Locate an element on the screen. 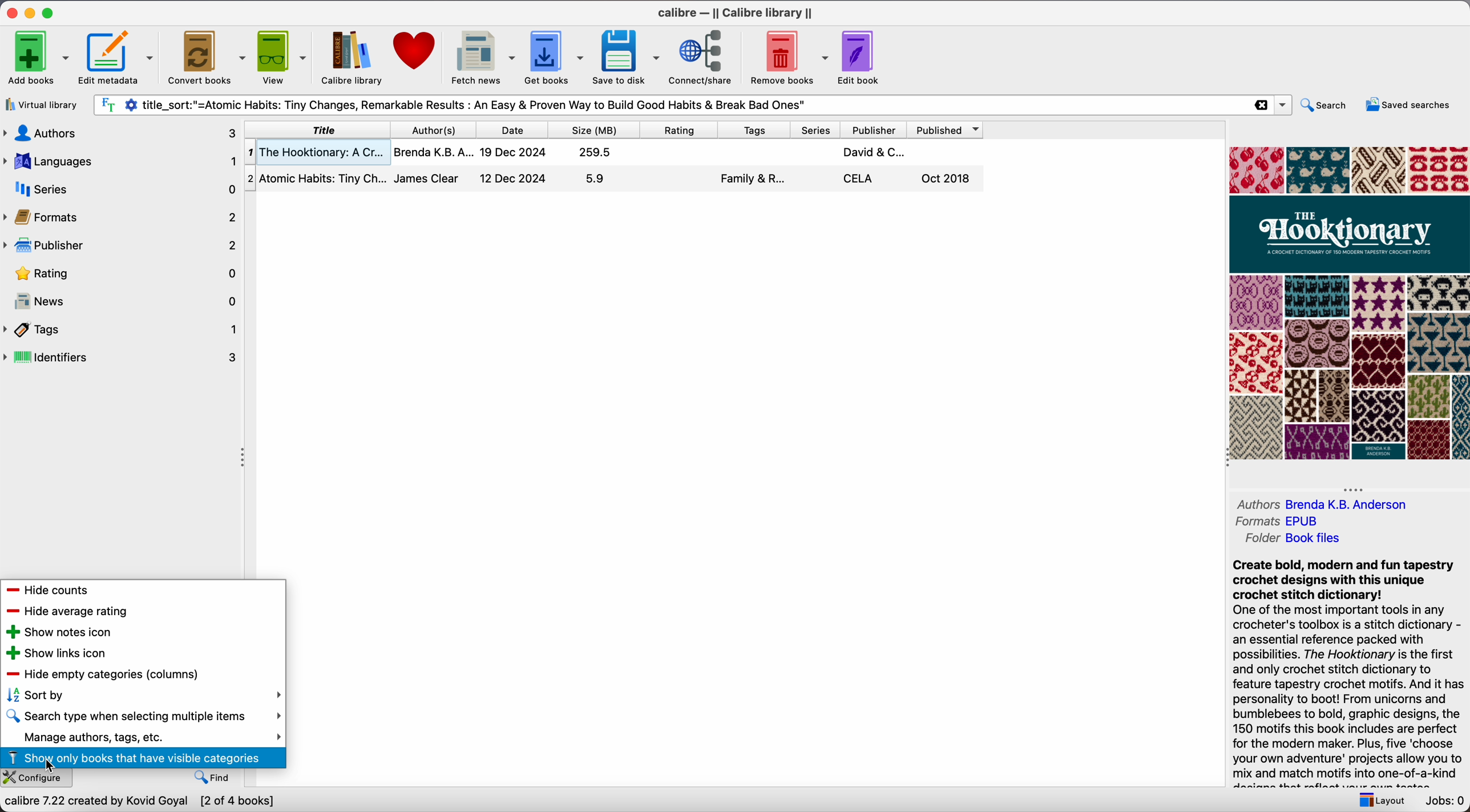 The width and height of the screenshot is (1470, 812). 5.9 is located at coordinates (597, 179).